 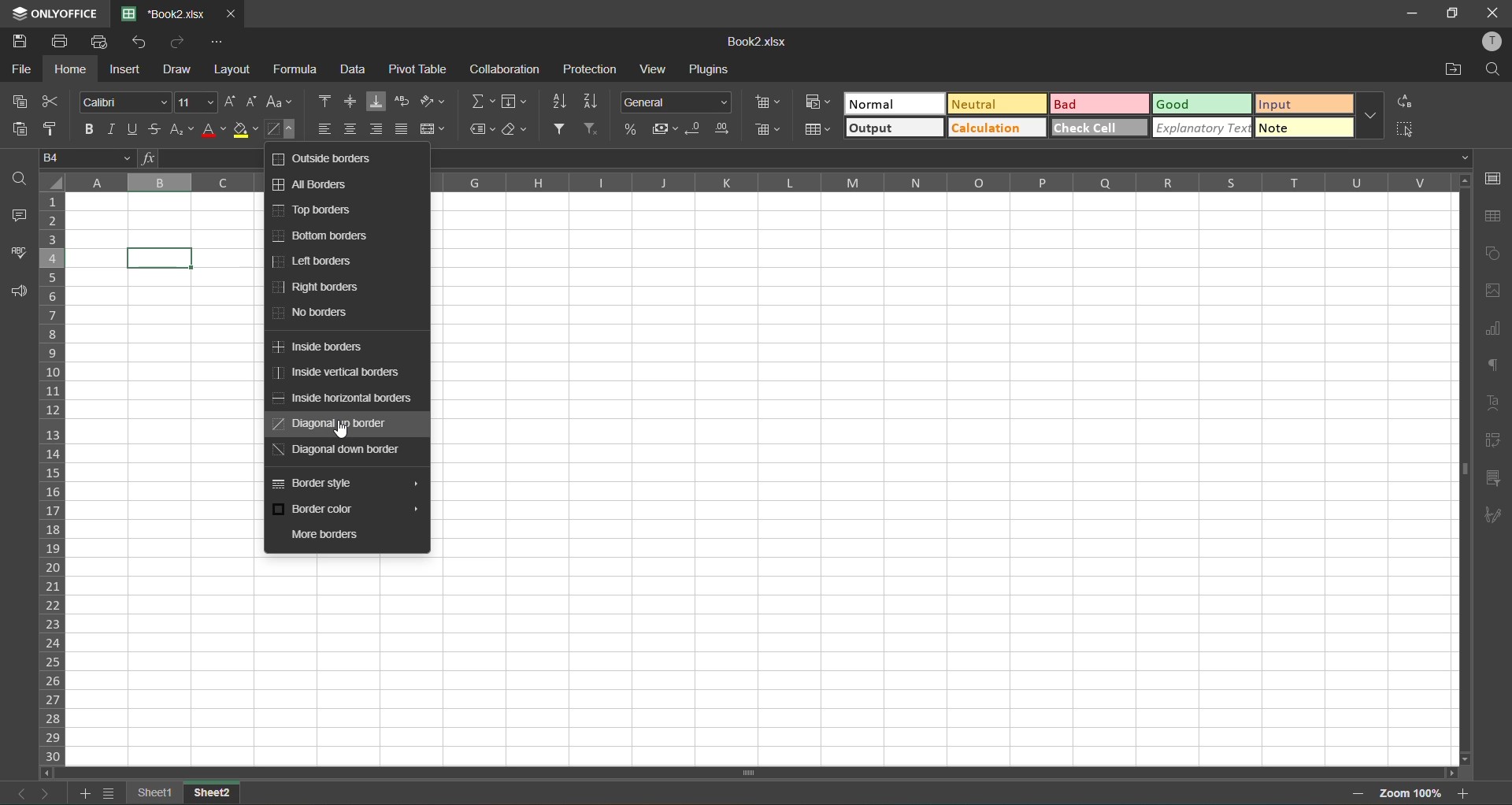 What do you see at coordinates (707, 69) in the screenshot?
I see `plugins` at bounding box center [707, 69].